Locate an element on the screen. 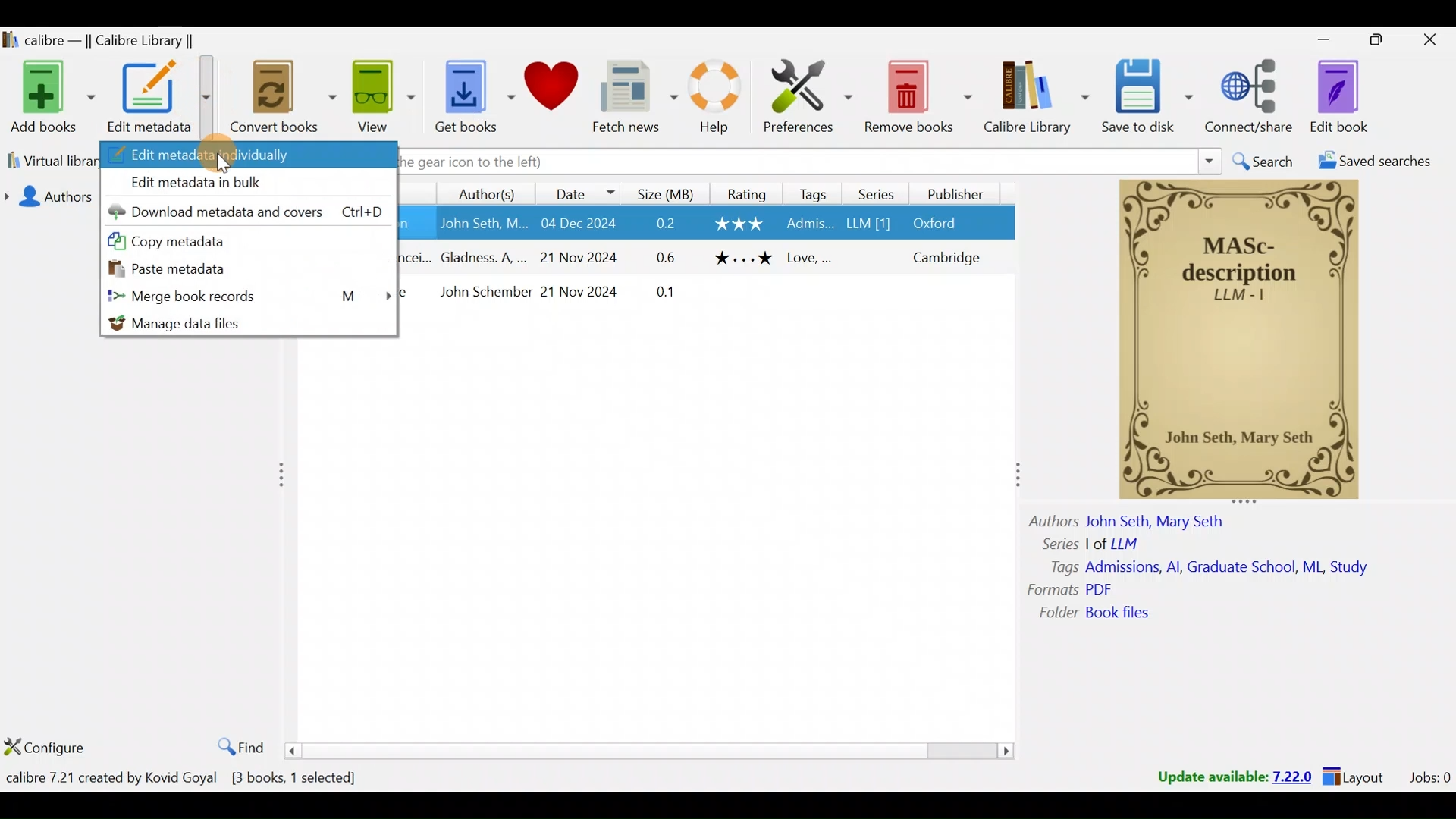  Manage data files is located at coordinates (243, 320).